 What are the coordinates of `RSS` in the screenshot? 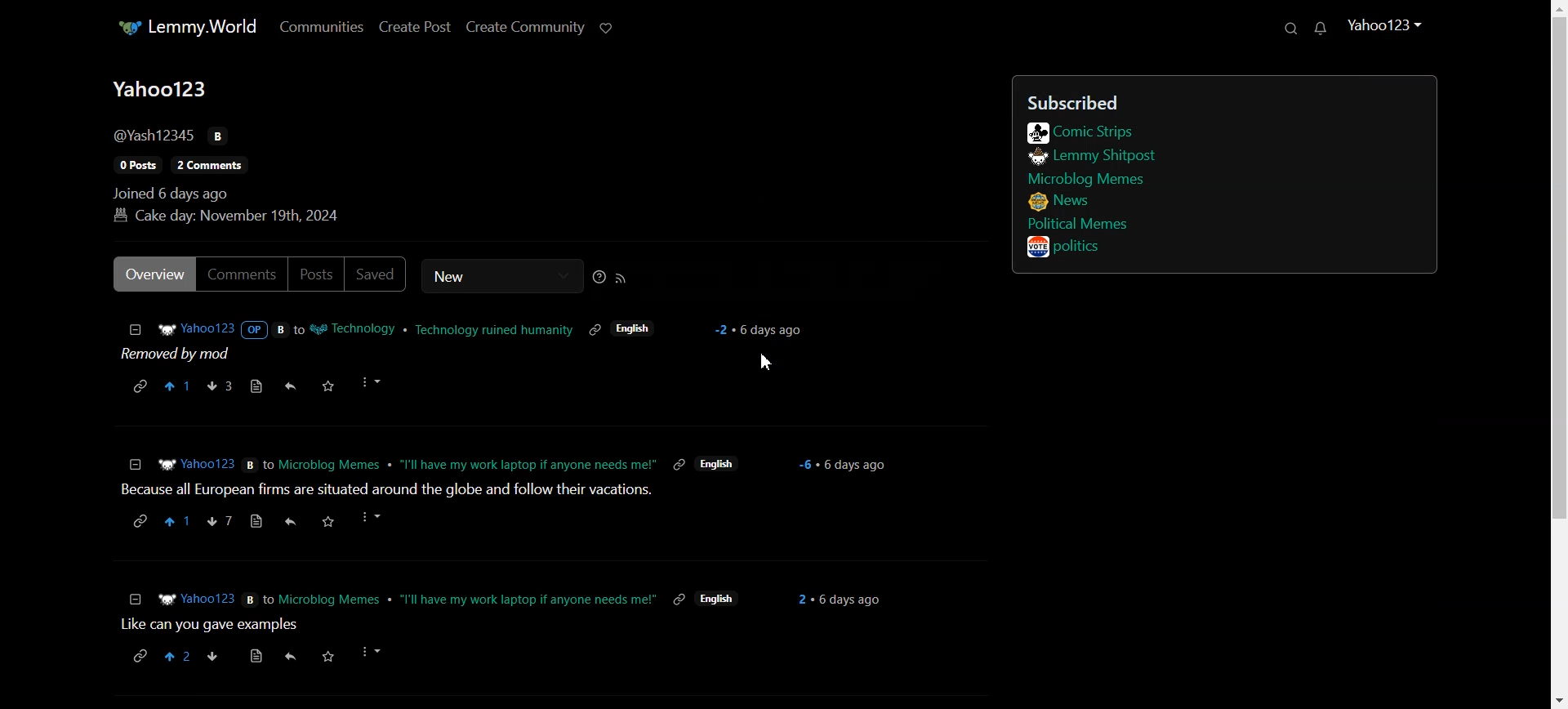 It's located at (619, 278).